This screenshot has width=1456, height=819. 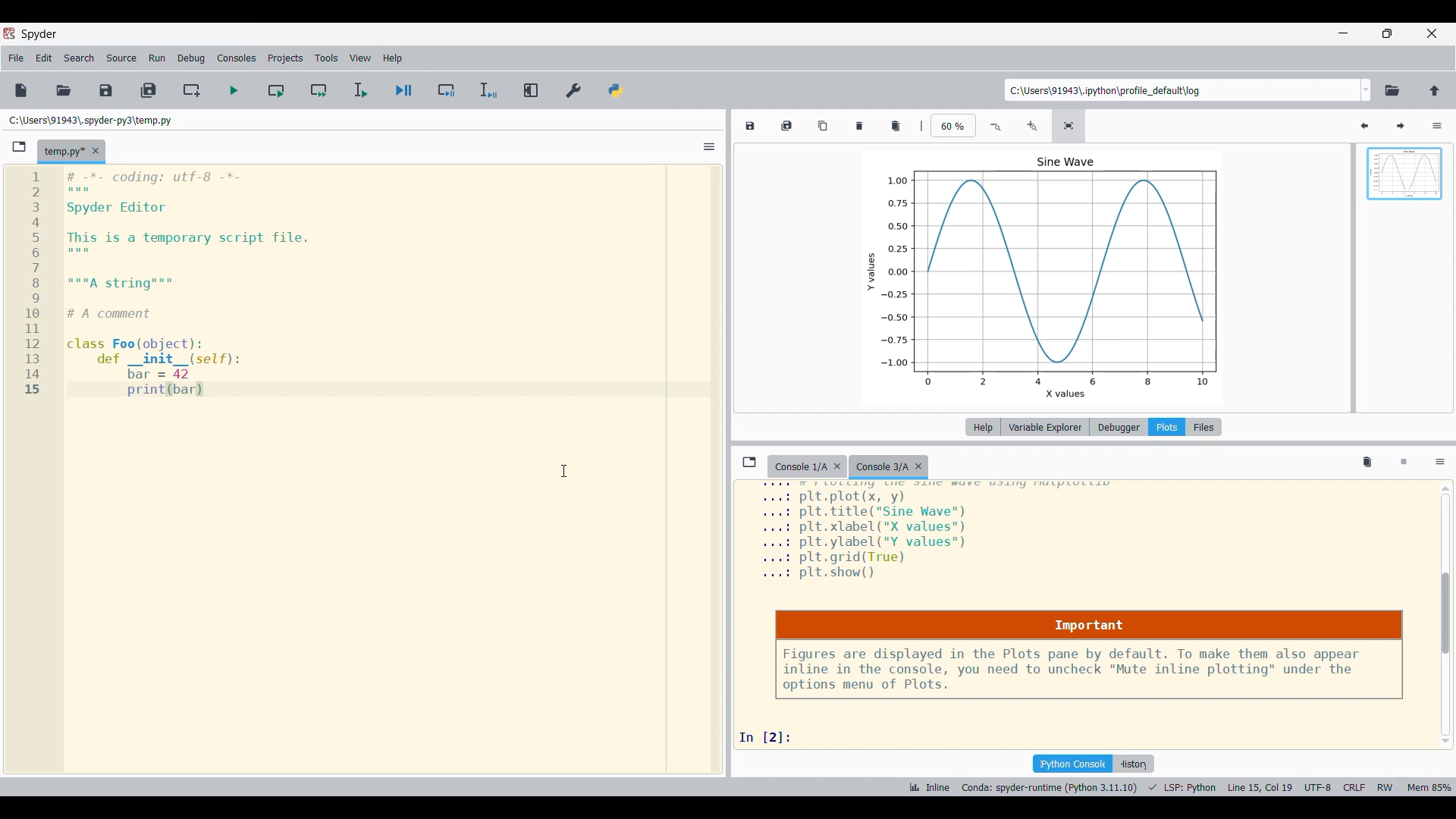 I want to click on Interrupt kernel, so click(x=1404, y=463).